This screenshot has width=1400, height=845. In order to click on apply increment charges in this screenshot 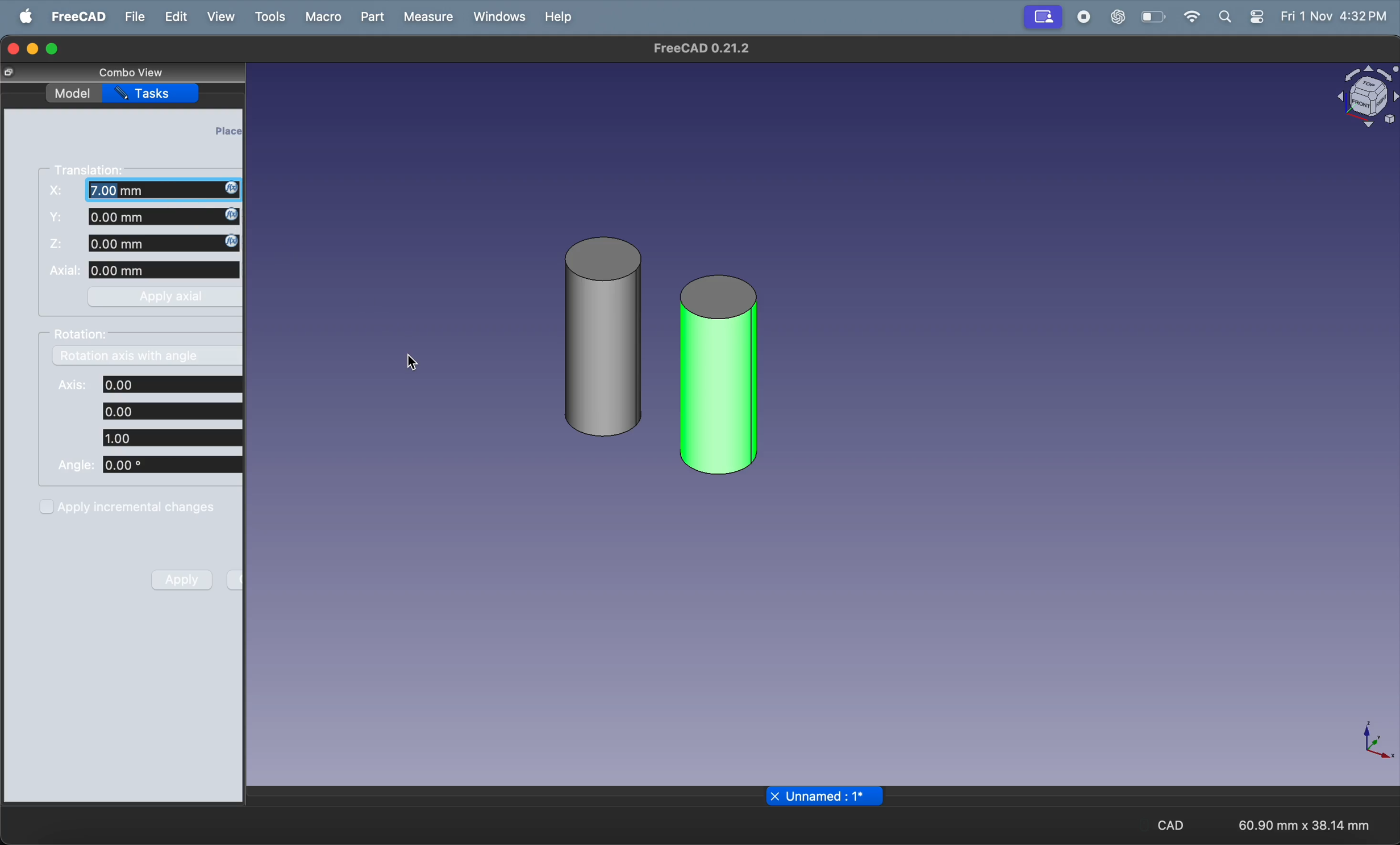, I will do `click(147, 508)`.